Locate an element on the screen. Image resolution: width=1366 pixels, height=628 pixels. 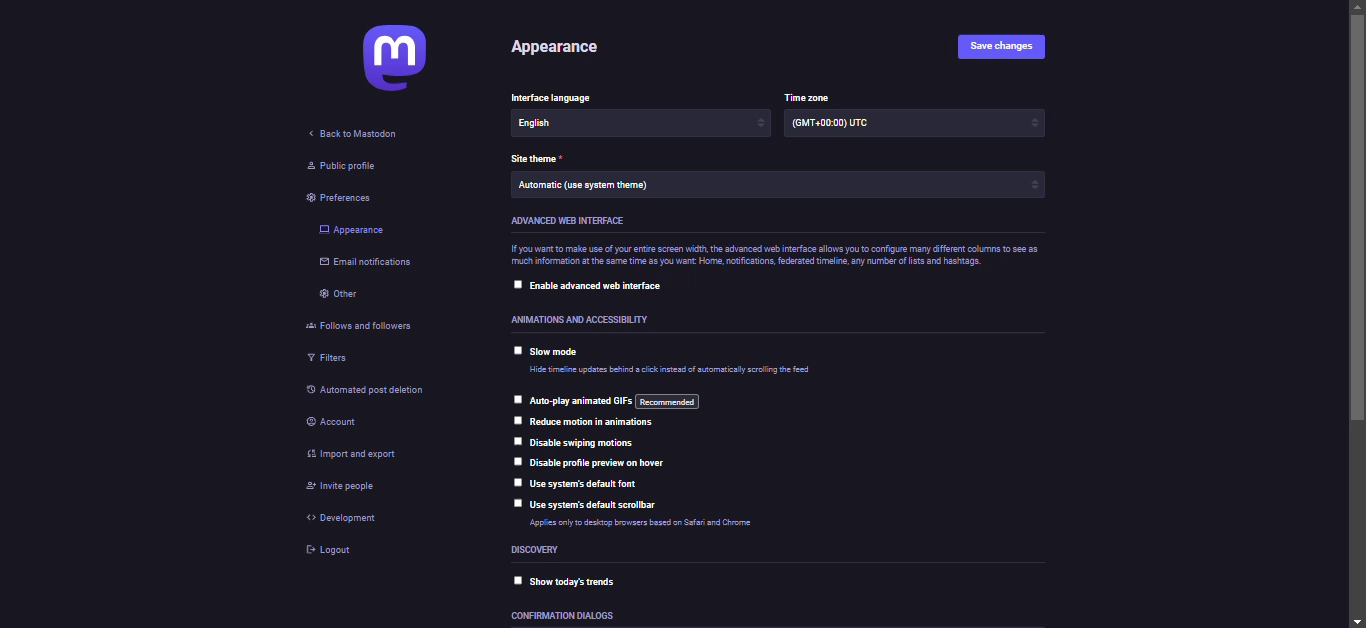
advanced web interface is located at coordinates (570, 222).